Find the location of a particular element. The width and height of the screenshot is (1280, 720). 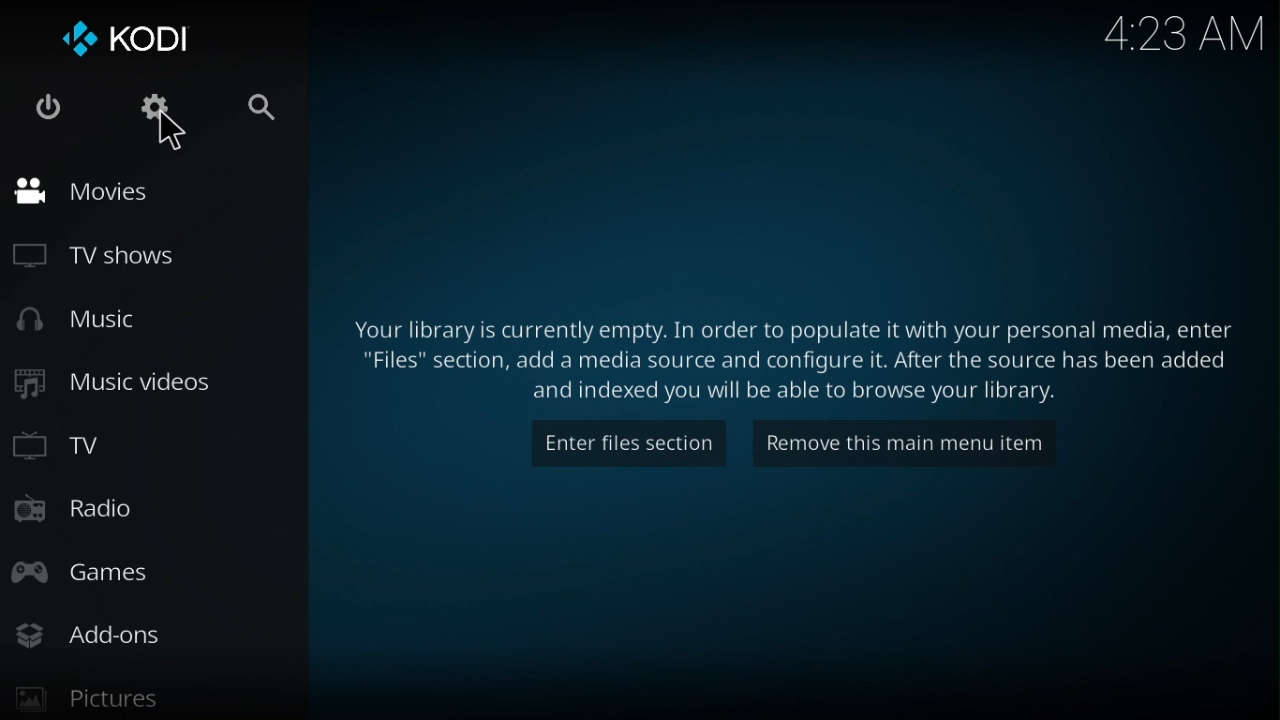

TV shows is located at coordinates (93, 253).